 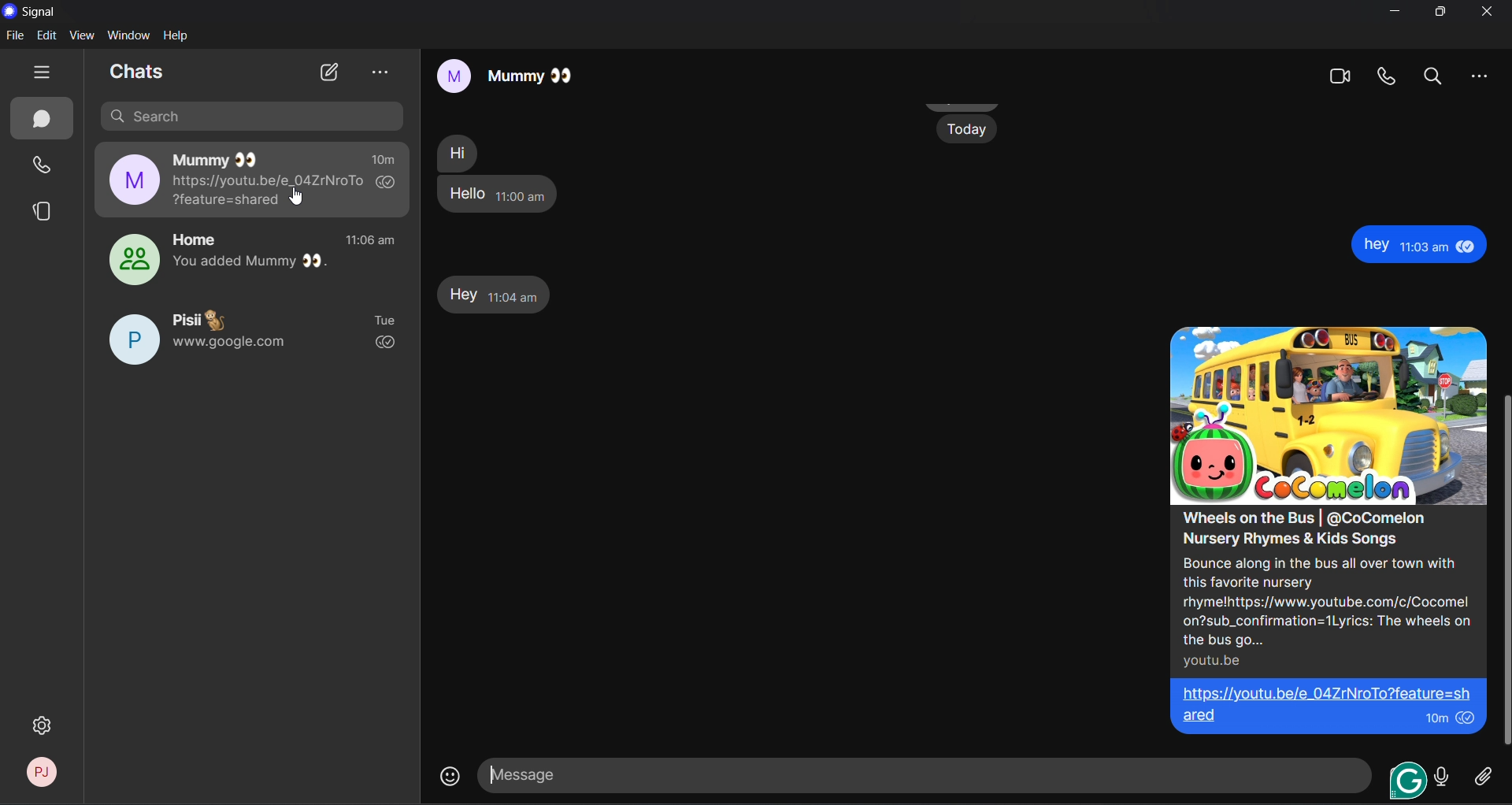 What do you see at coordinates (1333, 76) in the screenshot?
I see `Video call` at bounding box center [1333, 76].